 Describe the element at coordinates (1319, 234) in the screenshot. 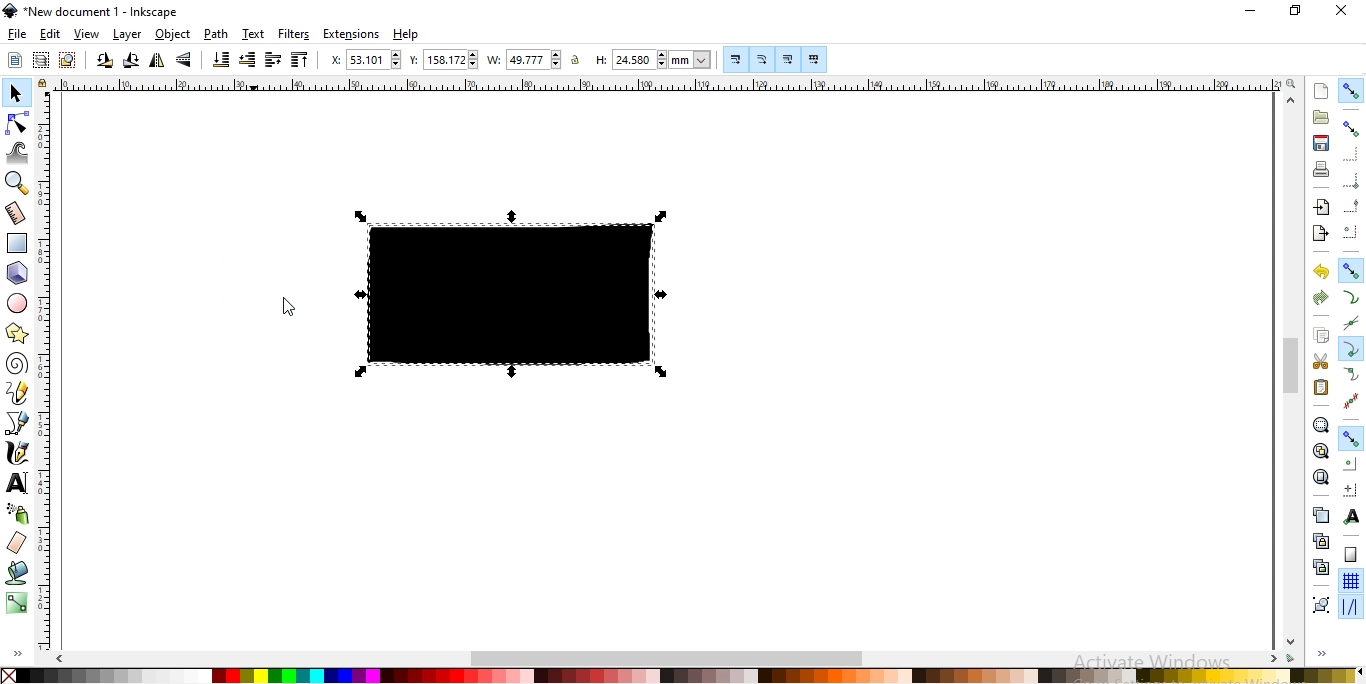

I see `export a document` at that location.